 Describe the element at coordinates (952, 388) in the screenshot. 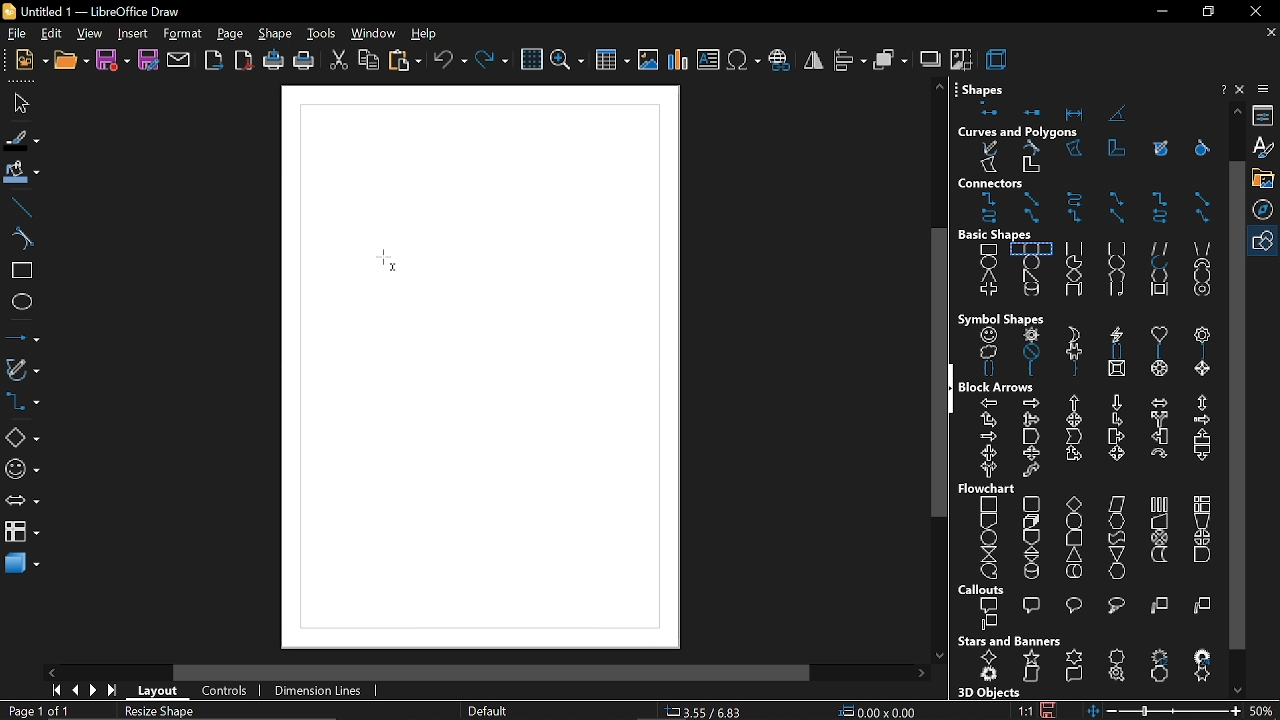

I see `collapse` at that location.